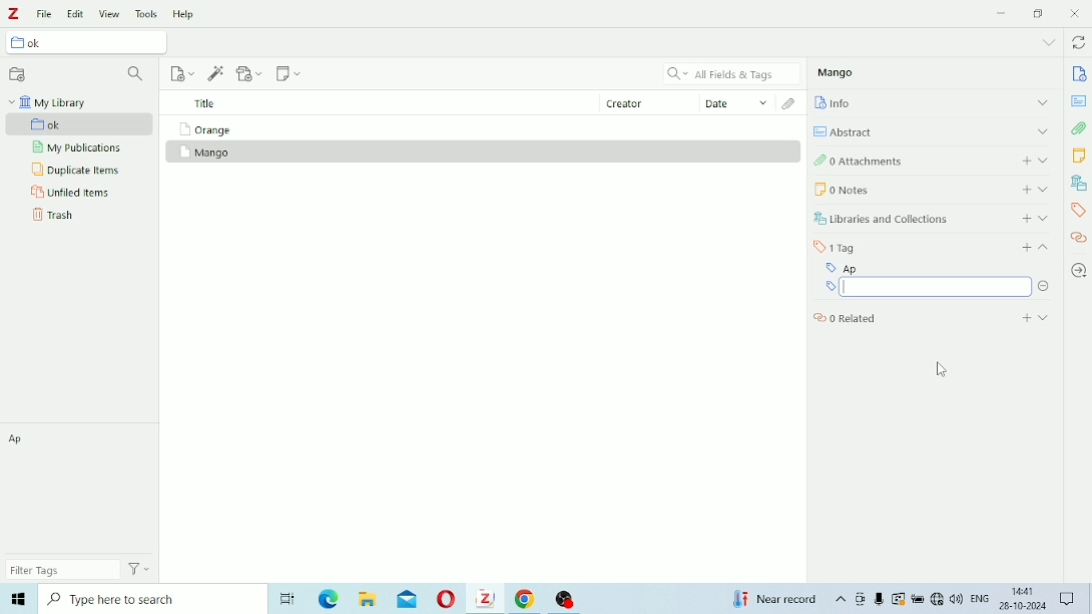 This screenshot has width=1092, height=614. Describe the element at coordinates (927, 288) in the screenshot. I see `Input field` at that location.